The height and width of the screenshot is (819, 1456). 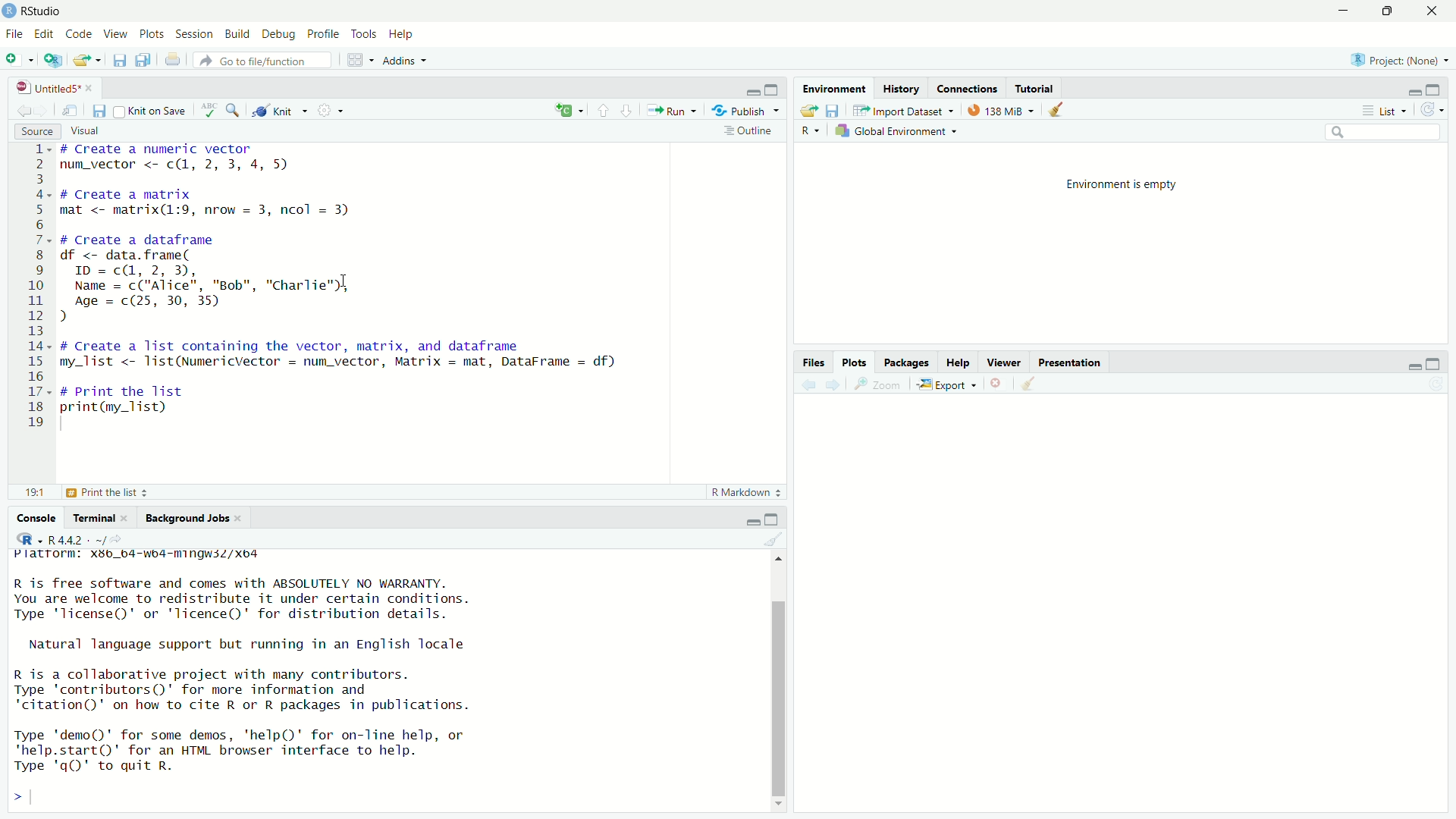 I want to click on Code, so click(x=80, y=35).